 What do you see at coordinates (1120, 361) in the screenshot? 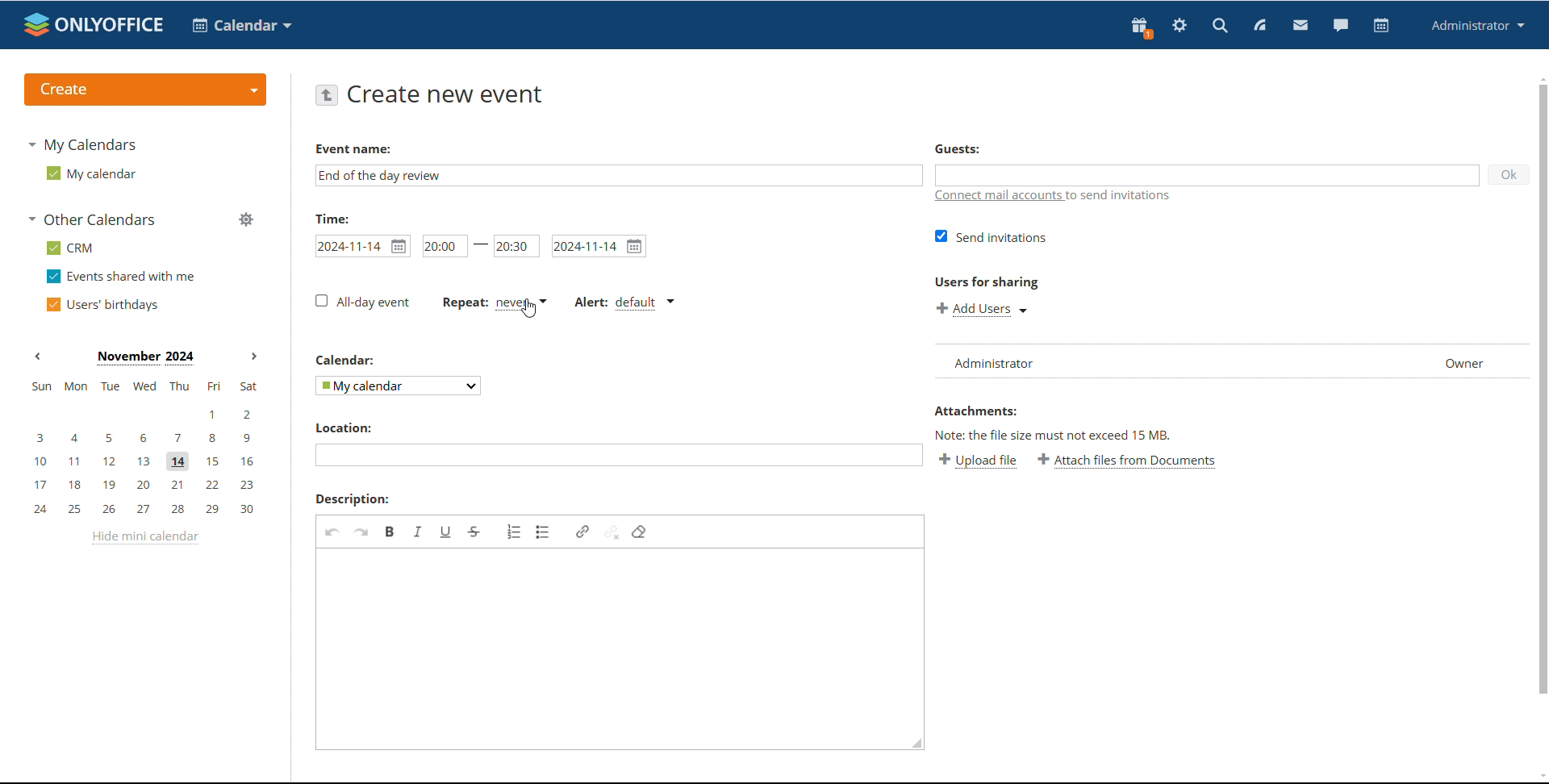
I see `list of users` at bounding box center [1120, 361].